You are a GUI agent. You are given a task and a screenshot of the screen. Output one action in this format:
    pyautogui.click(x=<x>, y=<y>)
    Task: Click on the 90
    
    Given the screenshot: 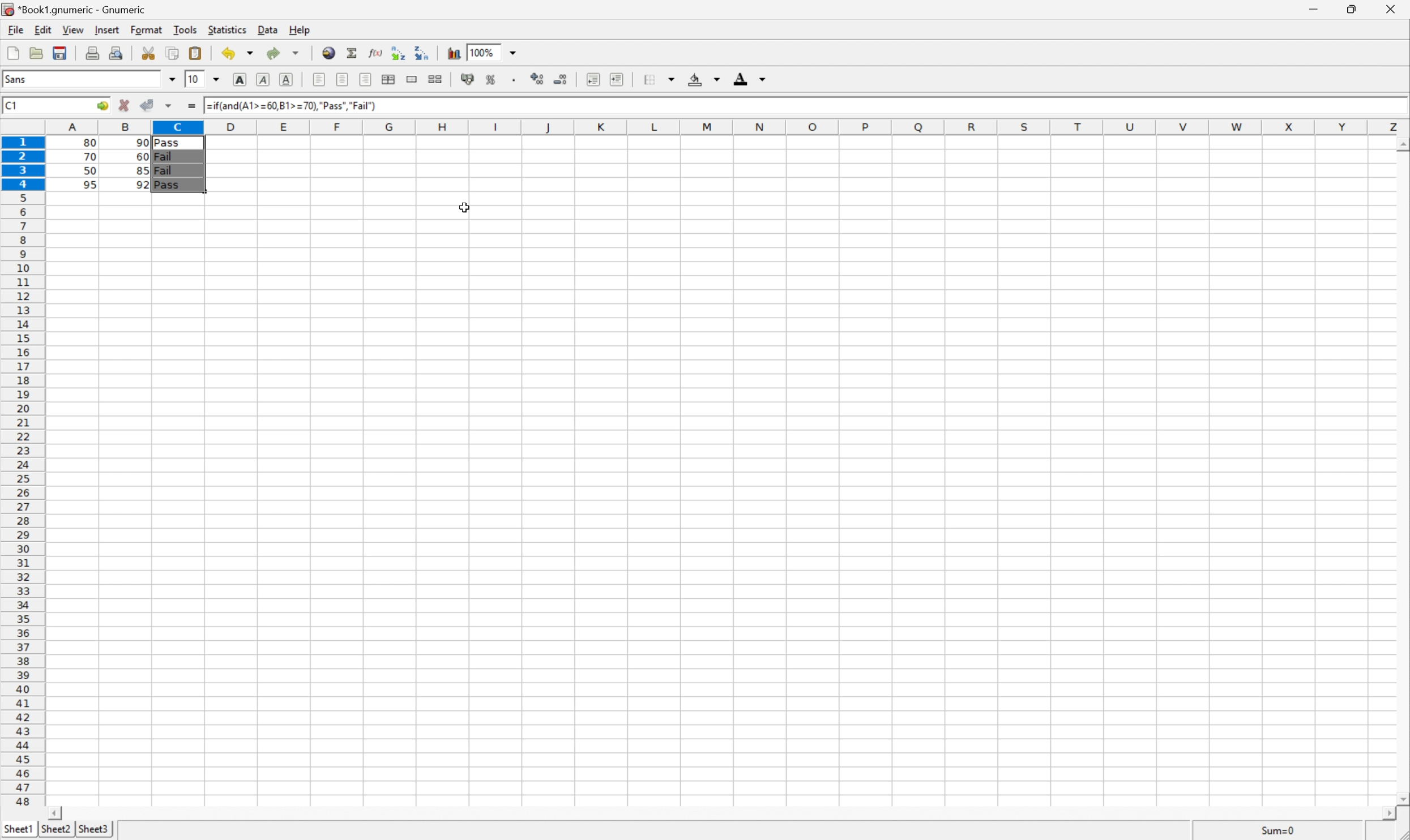 What is the action you would take?
    pyautogui.click(x=142, y=143)
    